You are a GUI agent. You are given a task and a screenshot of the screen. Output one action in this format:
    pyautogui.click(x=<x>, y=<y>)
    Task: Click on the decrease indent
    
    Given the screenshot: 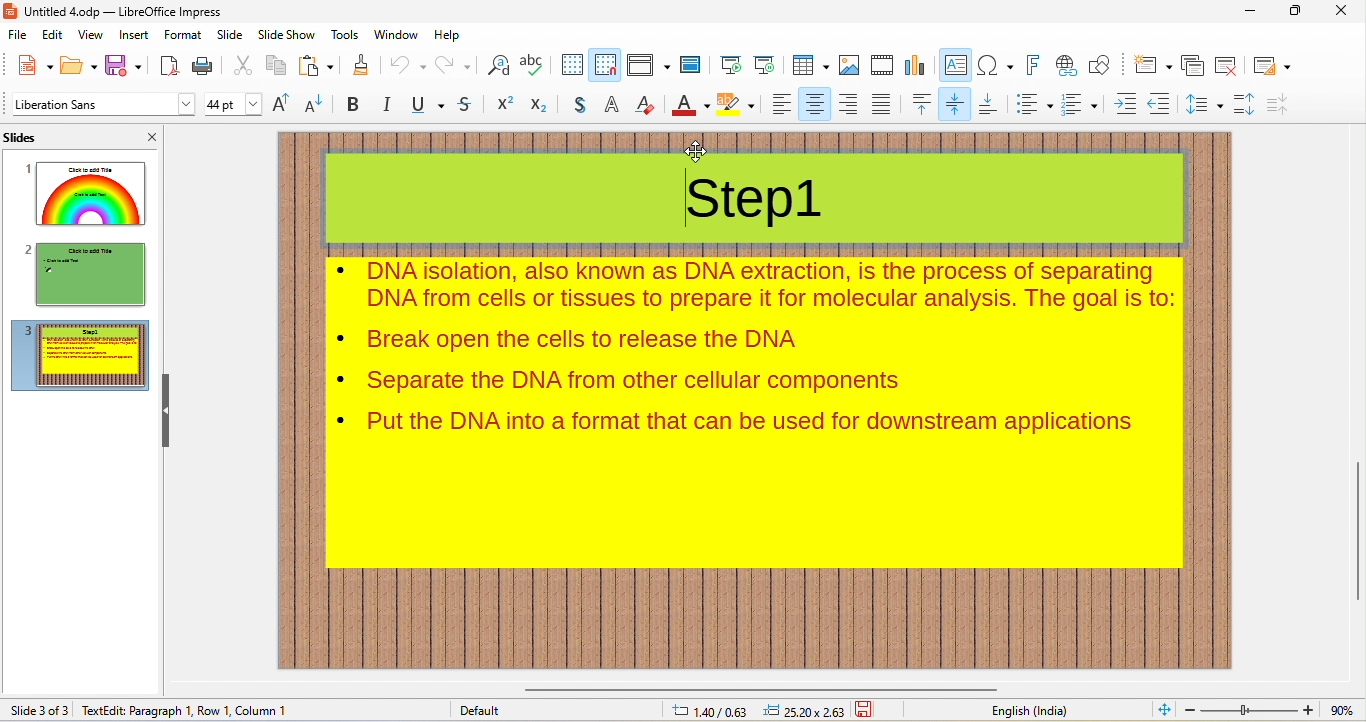 What is the action you would take?
    pyautogui.click(x=1162, y=103)
    